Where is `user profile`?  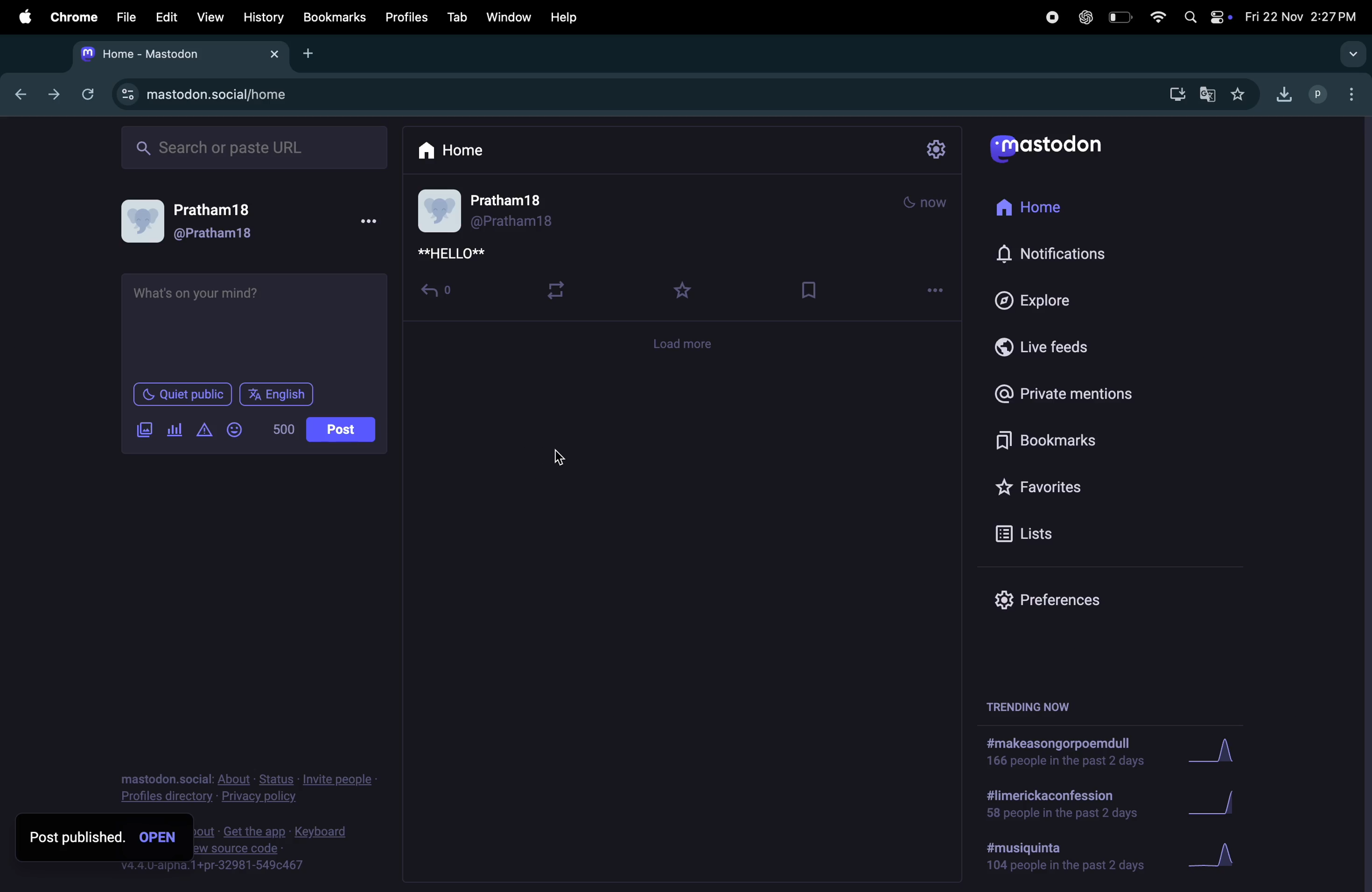 user profile is located at coordinates (439, 211).